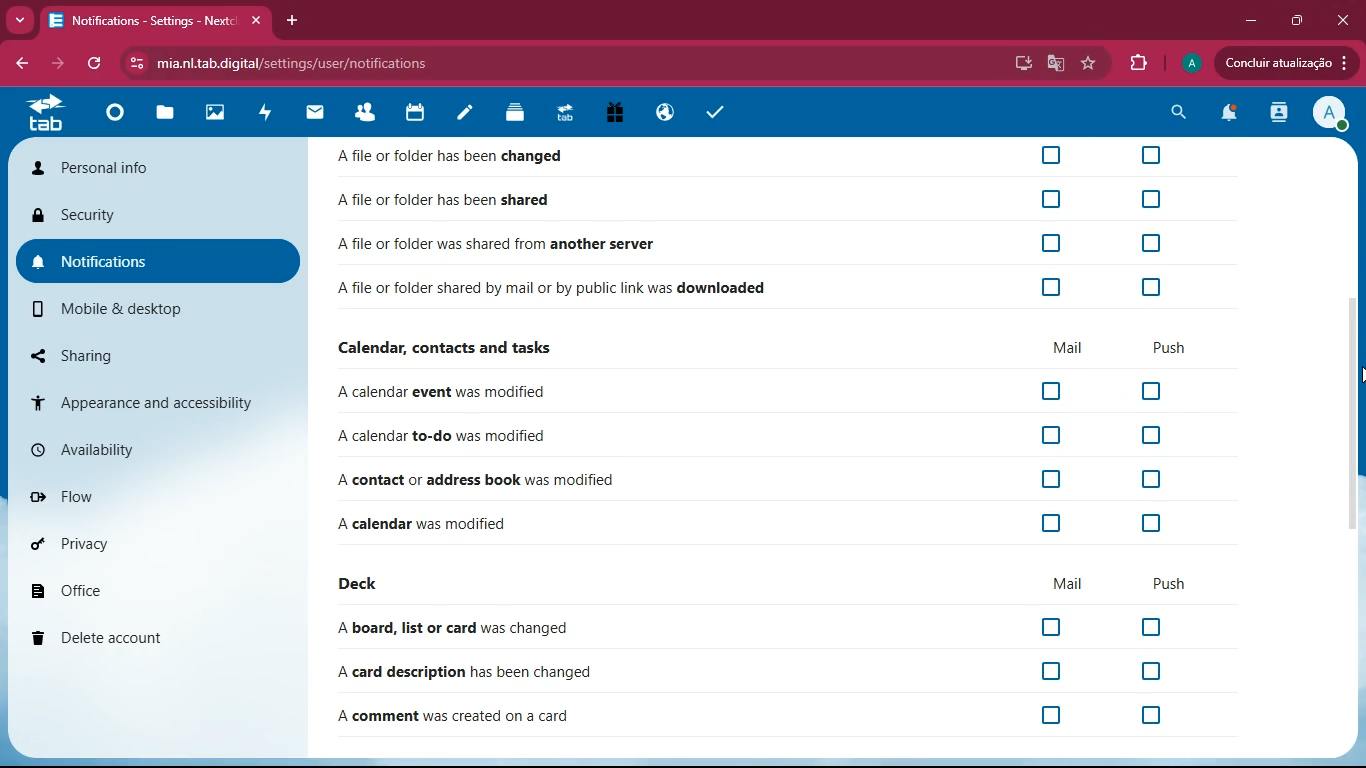 The image size is (1366, 768). What do you see at coordinates (664, 113) in the screenshot?
I see `public` at bounding box center [664, 113].